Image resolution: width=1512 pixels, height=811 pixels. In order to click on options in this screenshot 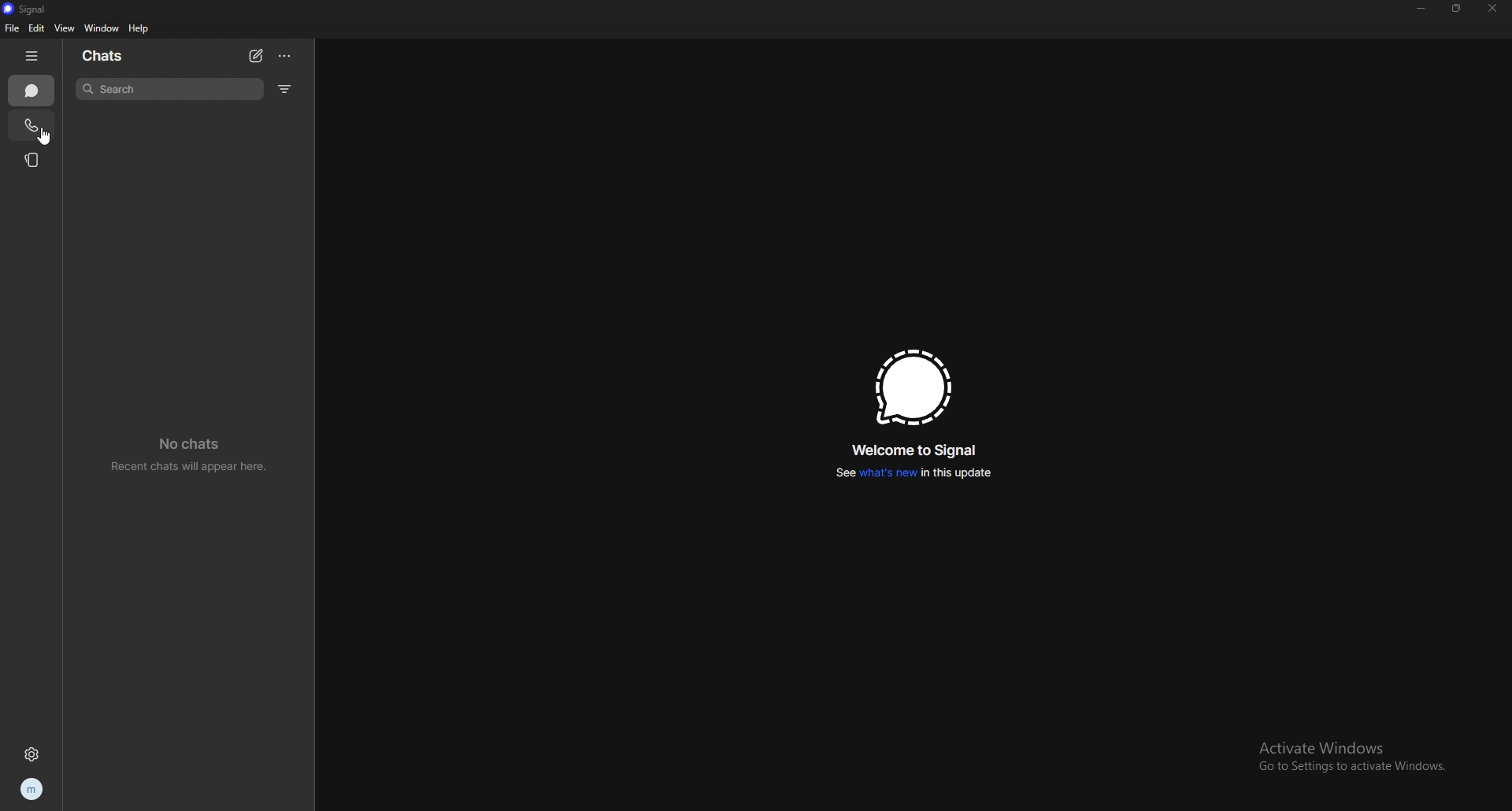, I will do `click(286, 56)`.